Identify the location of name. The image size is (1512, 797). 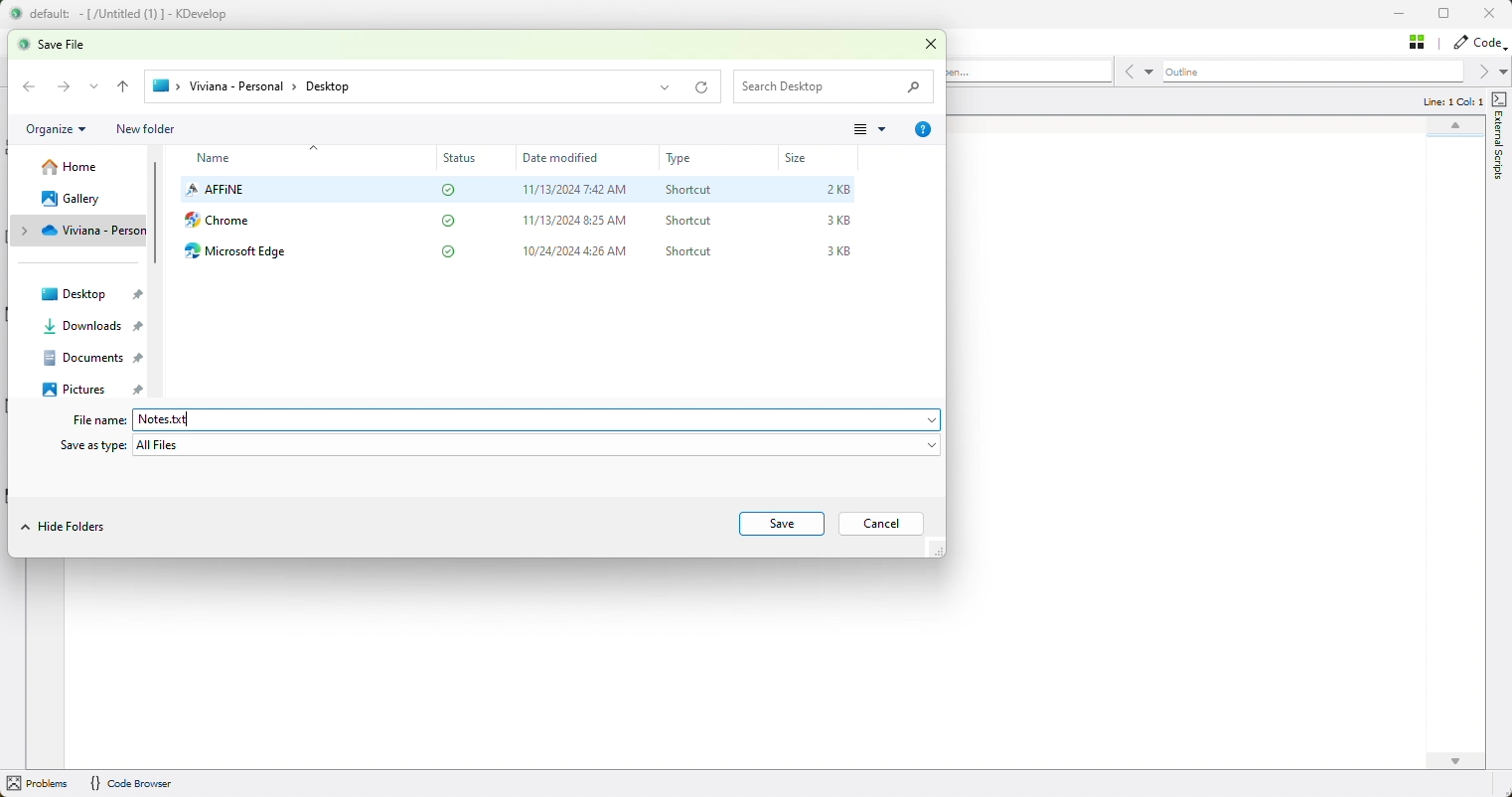
(223, 159).